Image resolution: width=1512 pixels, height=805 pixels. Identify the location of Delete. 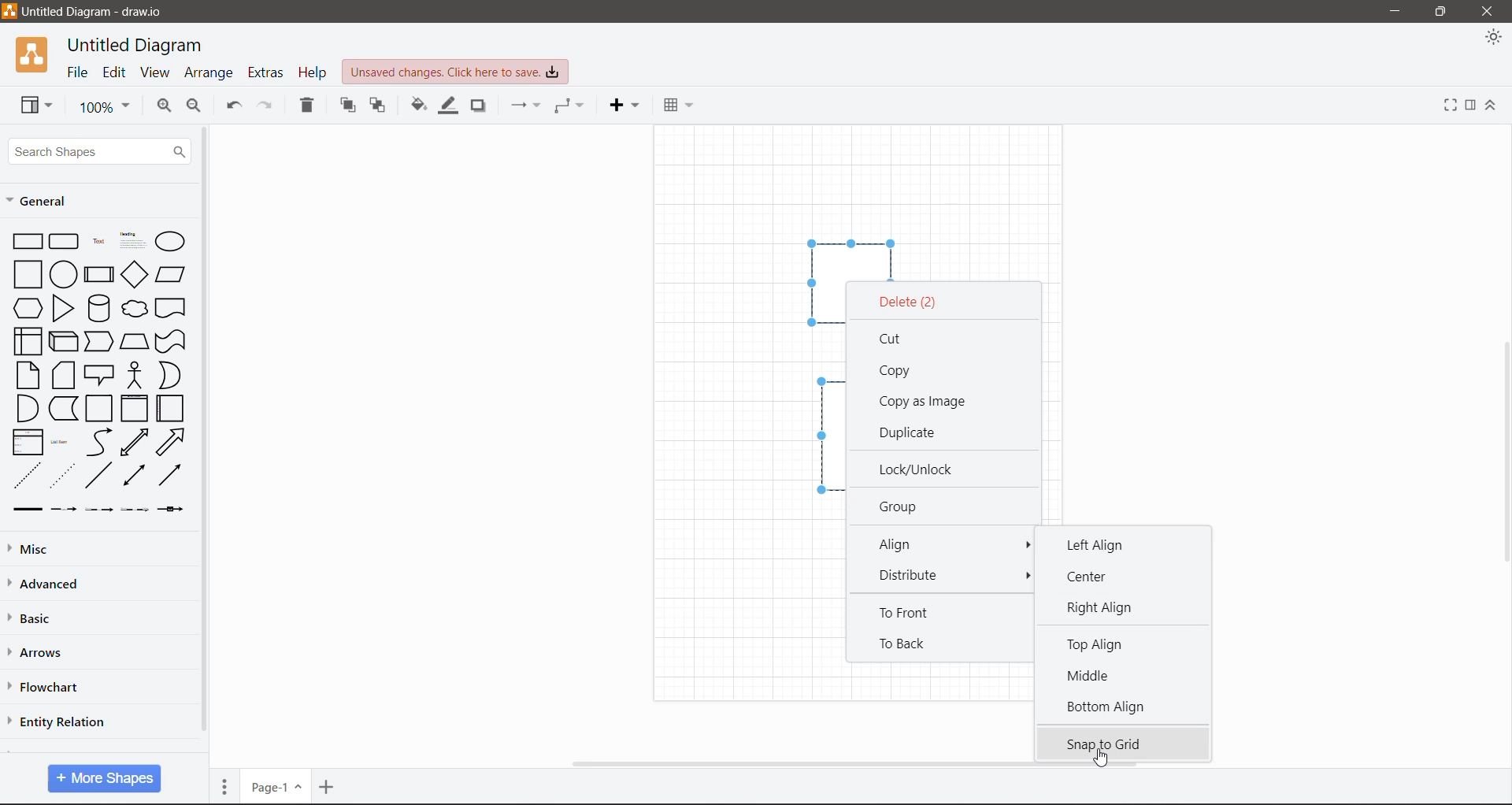
(910, 302).